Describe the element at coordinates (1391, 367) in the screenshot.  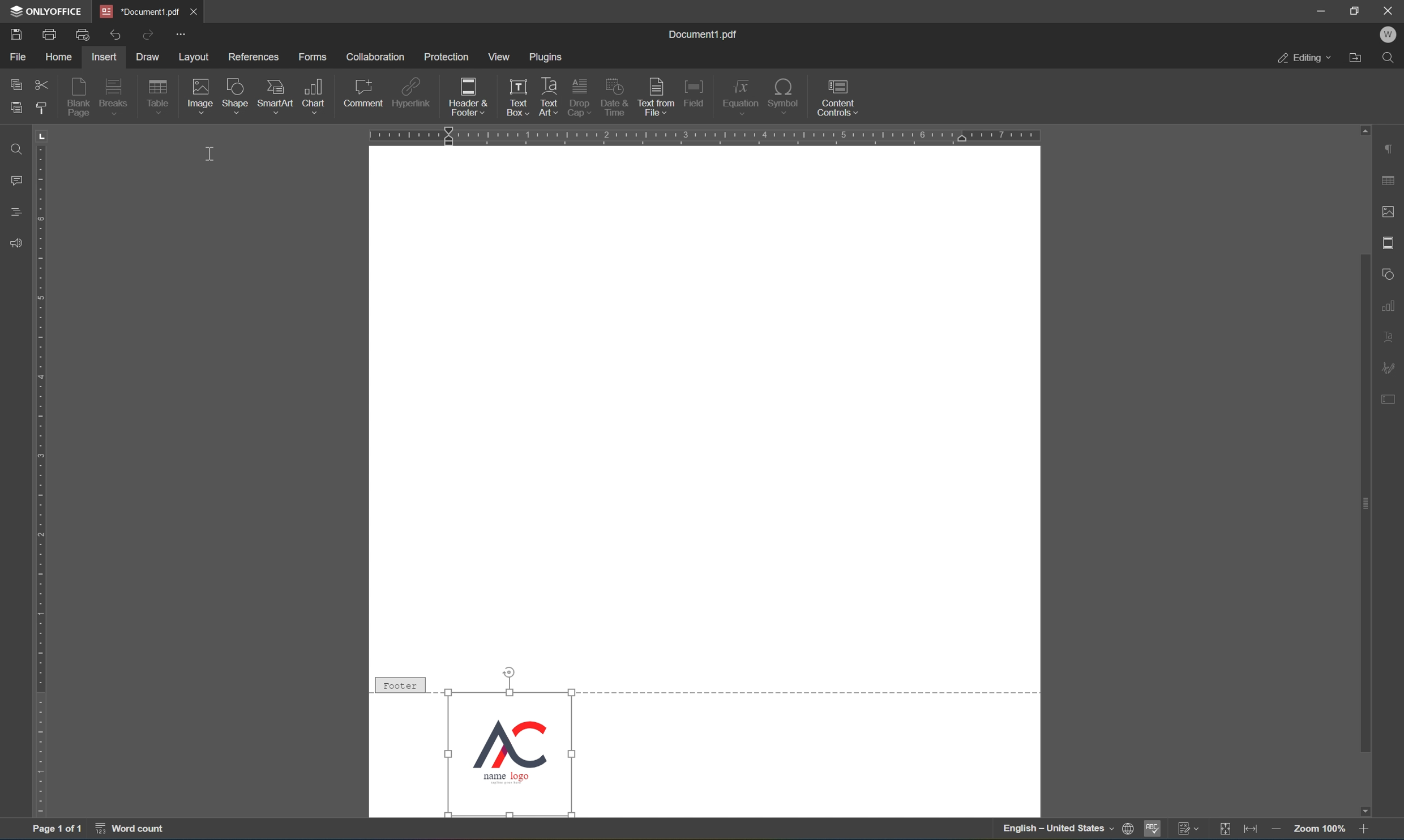
I see `signature settings` at that location.